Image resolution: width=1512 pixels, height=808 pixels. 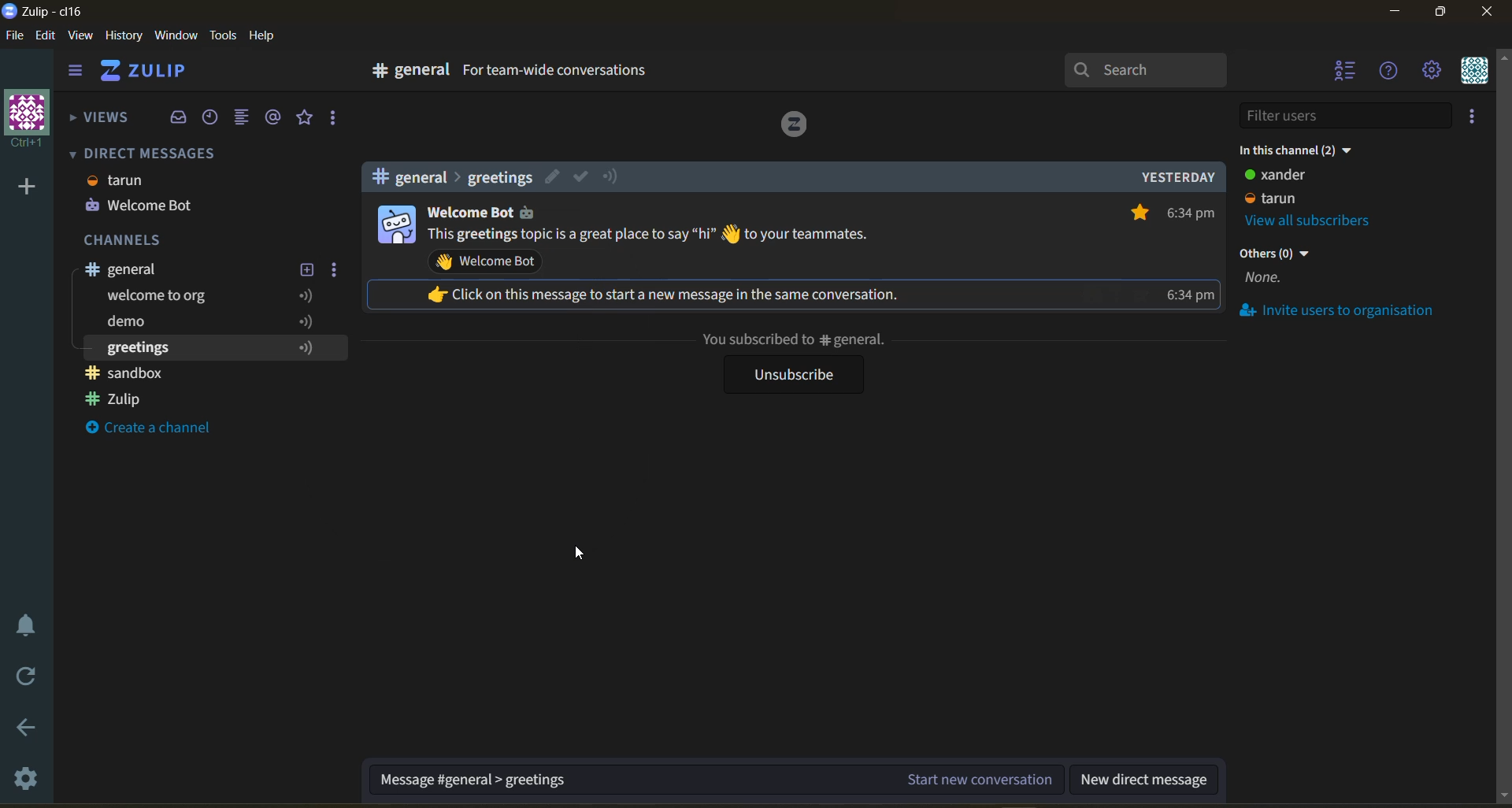 I want to click on new direct message, so click(x=1144, y=776).